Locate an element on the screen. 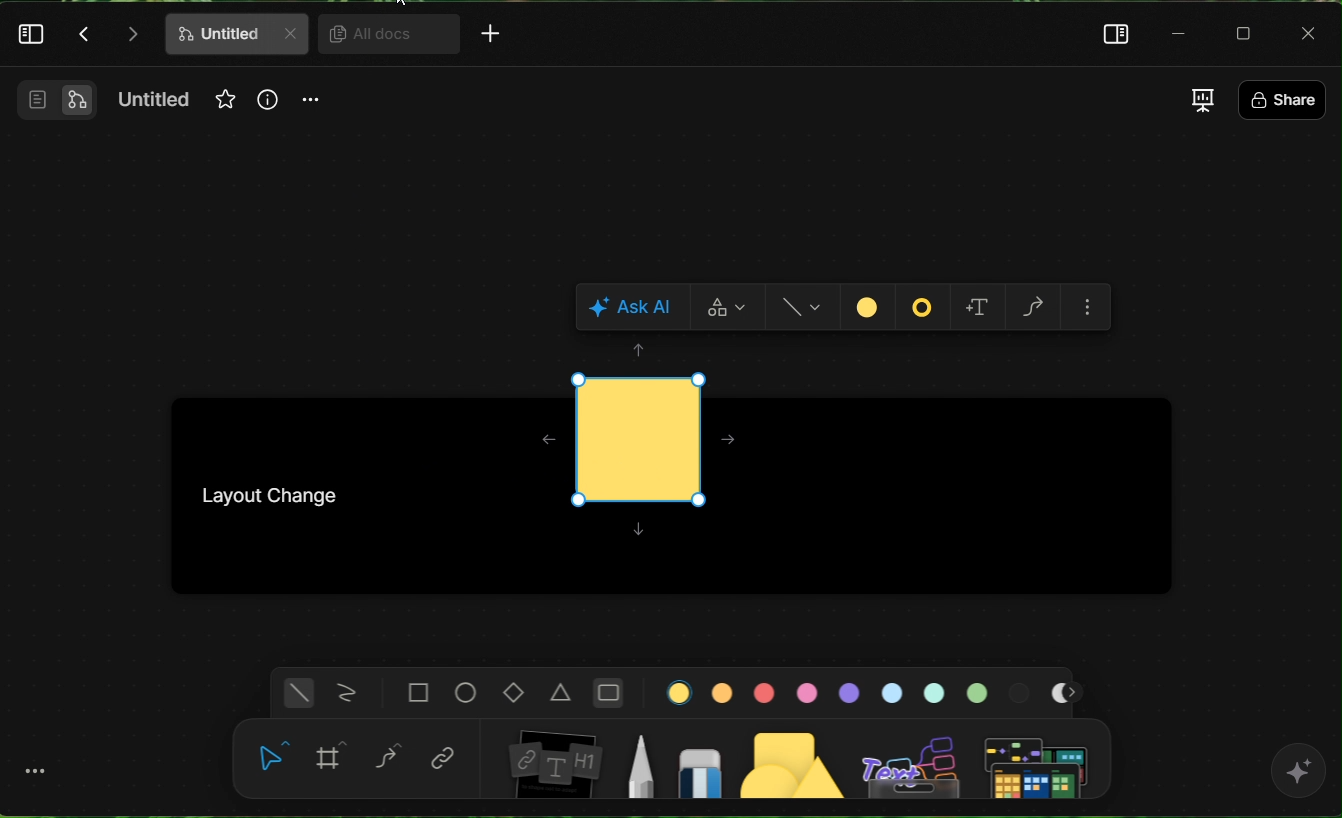  AI is located at coordinates (631, 306).